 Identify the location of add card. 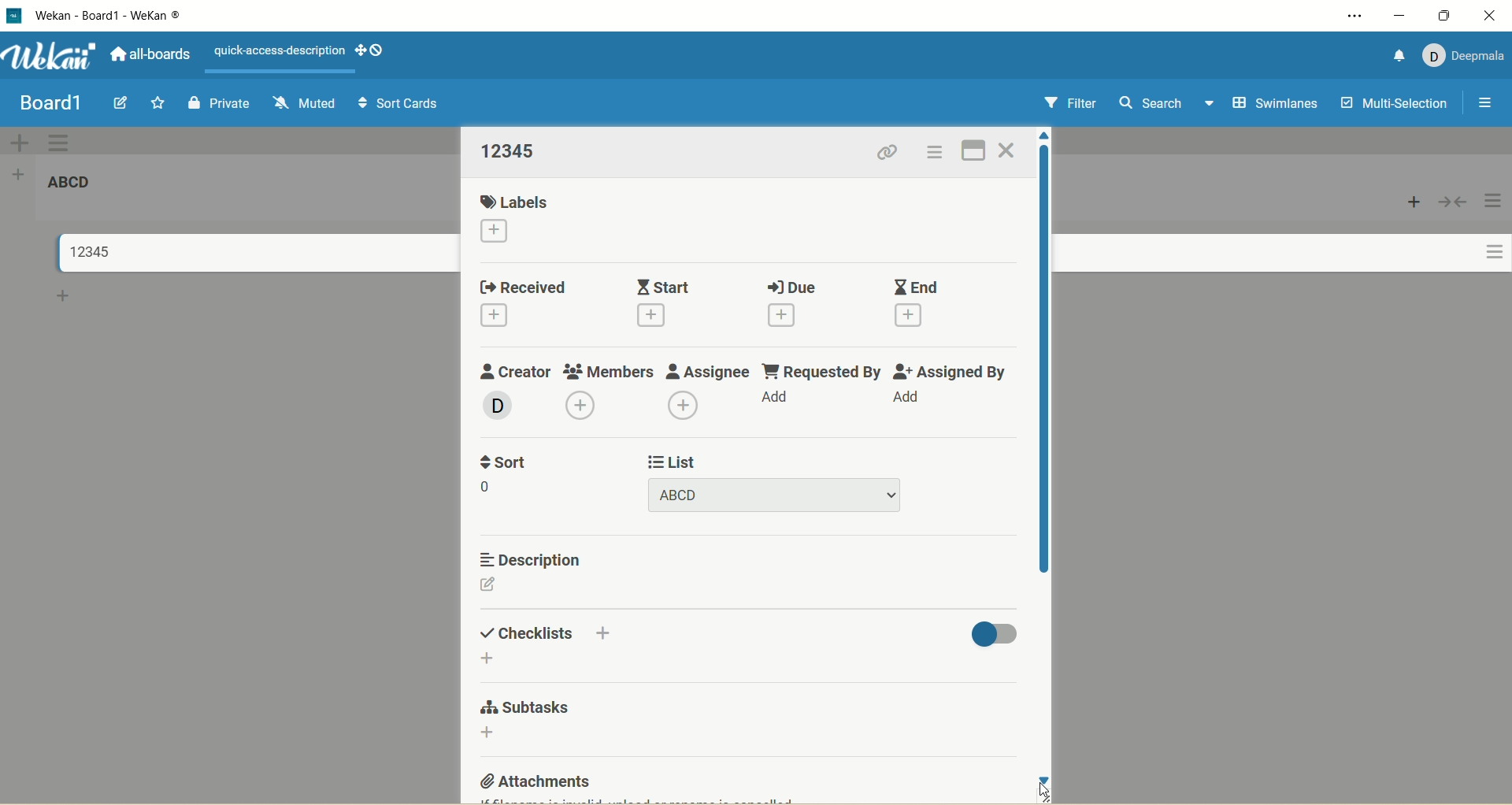
(1414, 202).